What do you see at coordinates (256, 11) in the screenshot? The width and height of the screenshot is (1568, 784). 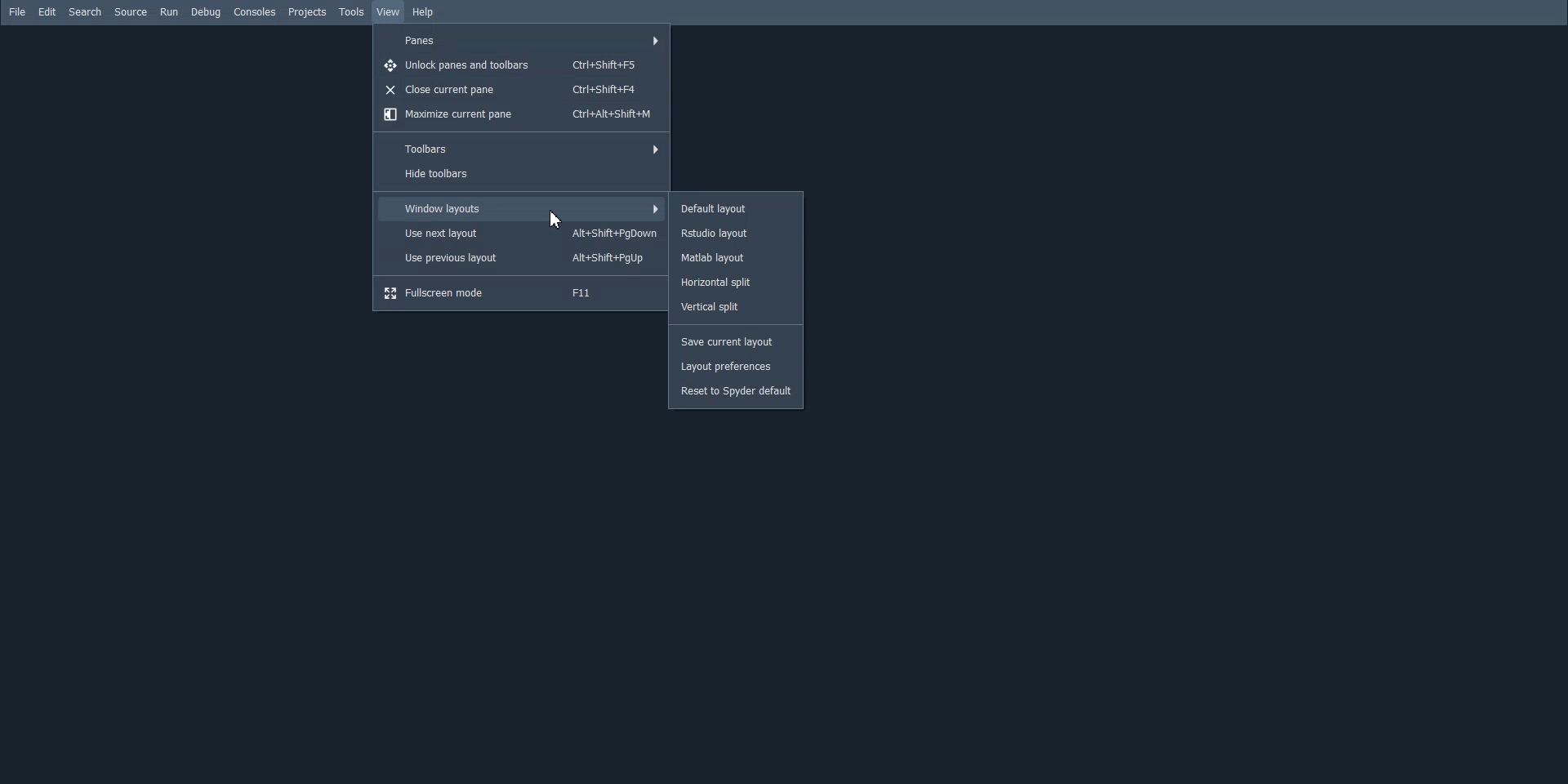 I see `Consoles` at bounding box center [256, 11].